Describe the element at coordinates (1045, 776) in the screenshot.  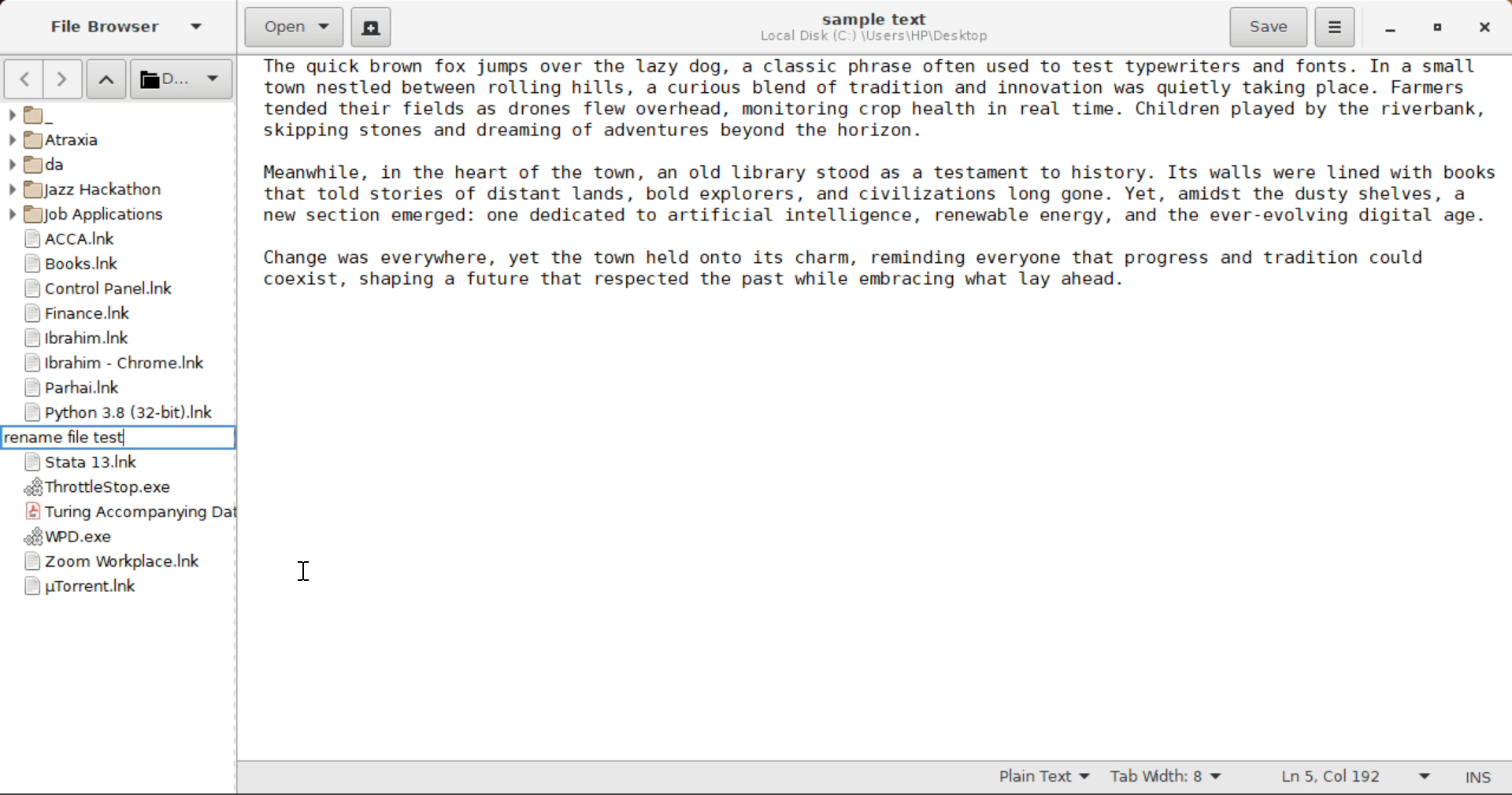
I see `Selected Text Format` at that location.